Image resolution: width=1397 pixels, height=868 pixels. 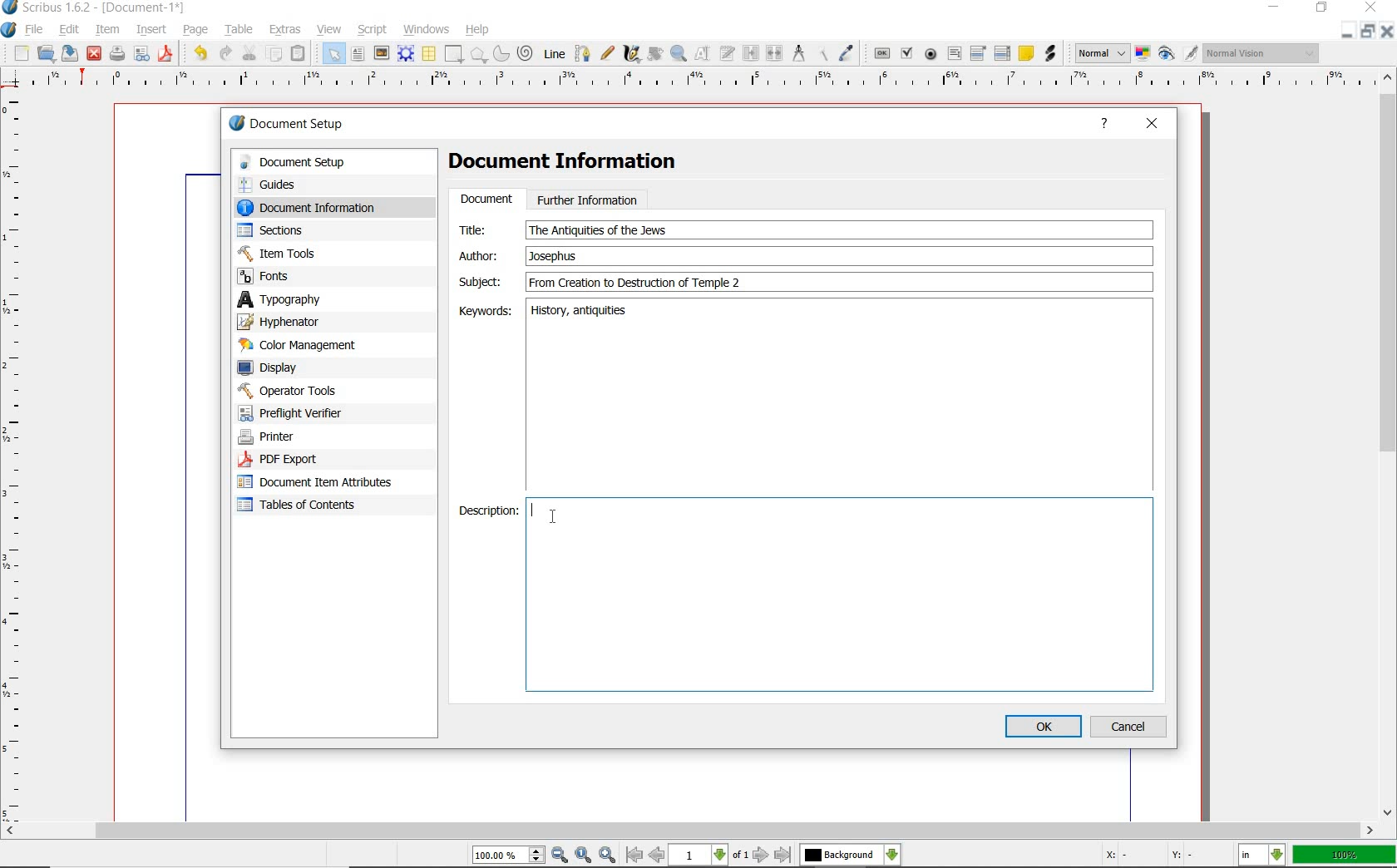 What do you see at coordinates (382, 52) in the screenshot?
I see `image frame` at bounding box center [382, 52].